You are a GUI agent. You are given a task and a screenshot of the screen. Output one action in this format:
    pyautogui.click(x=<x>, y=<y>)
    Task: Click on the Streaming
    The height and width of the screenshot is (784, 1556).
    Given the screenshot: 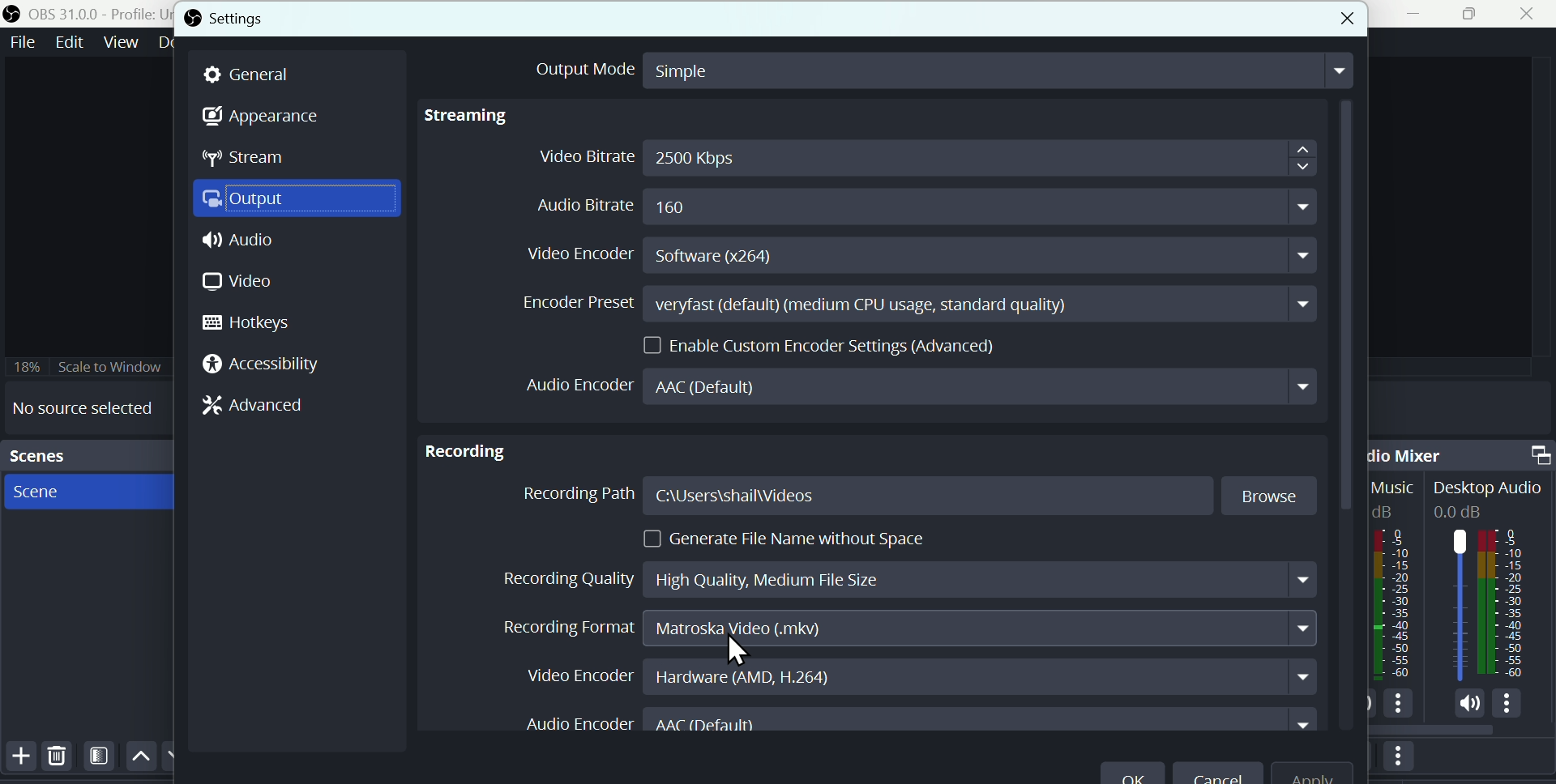 What is the action you would take?
    pyautogui.click(x=472, y=121)
    